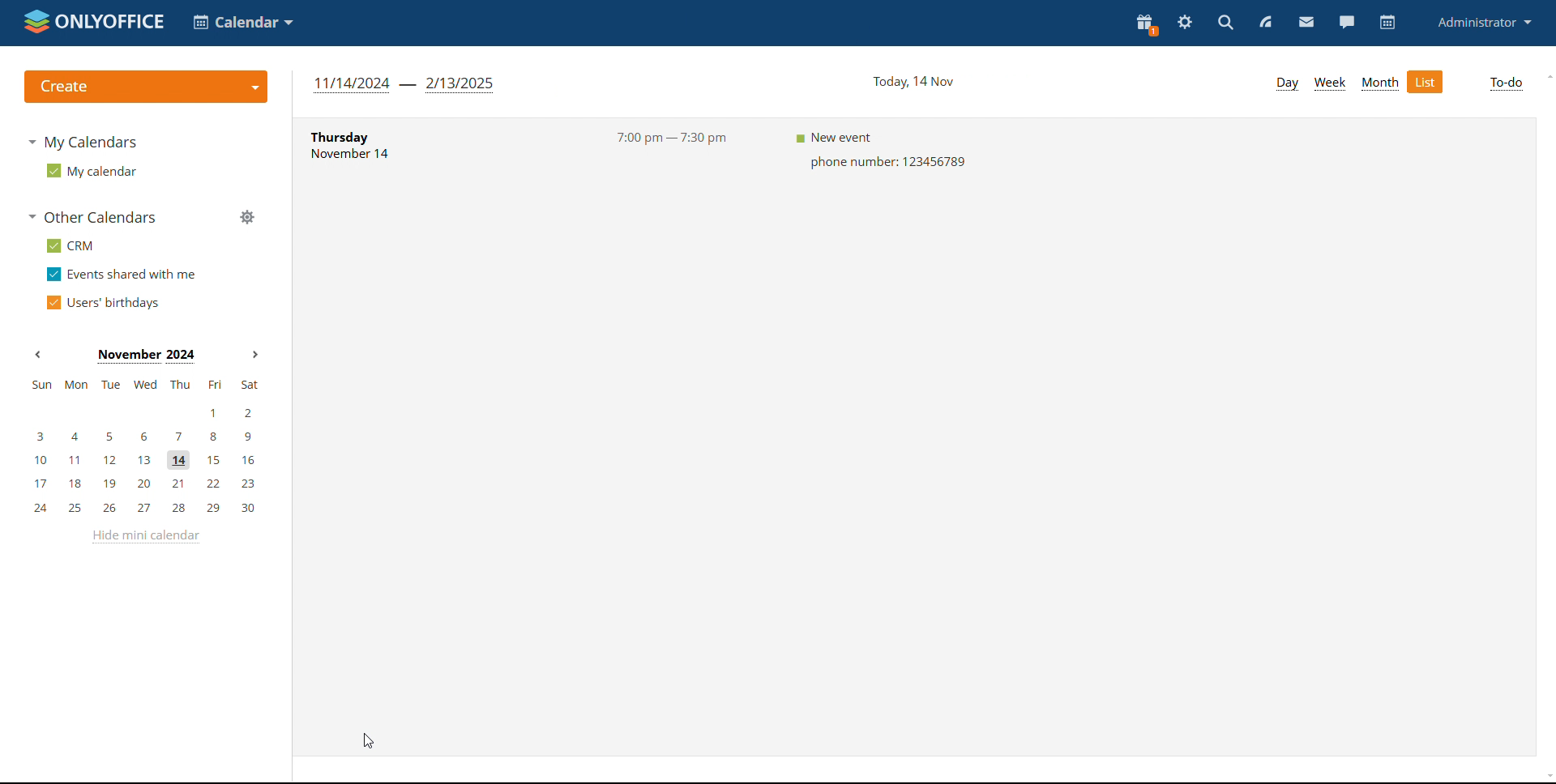 Image resolution: width=1556 pixels, height=784 pixels. What do you see at coordinates (1266, 23) in the screenshot?
I see `feed` at bounding box center [1266, 23].